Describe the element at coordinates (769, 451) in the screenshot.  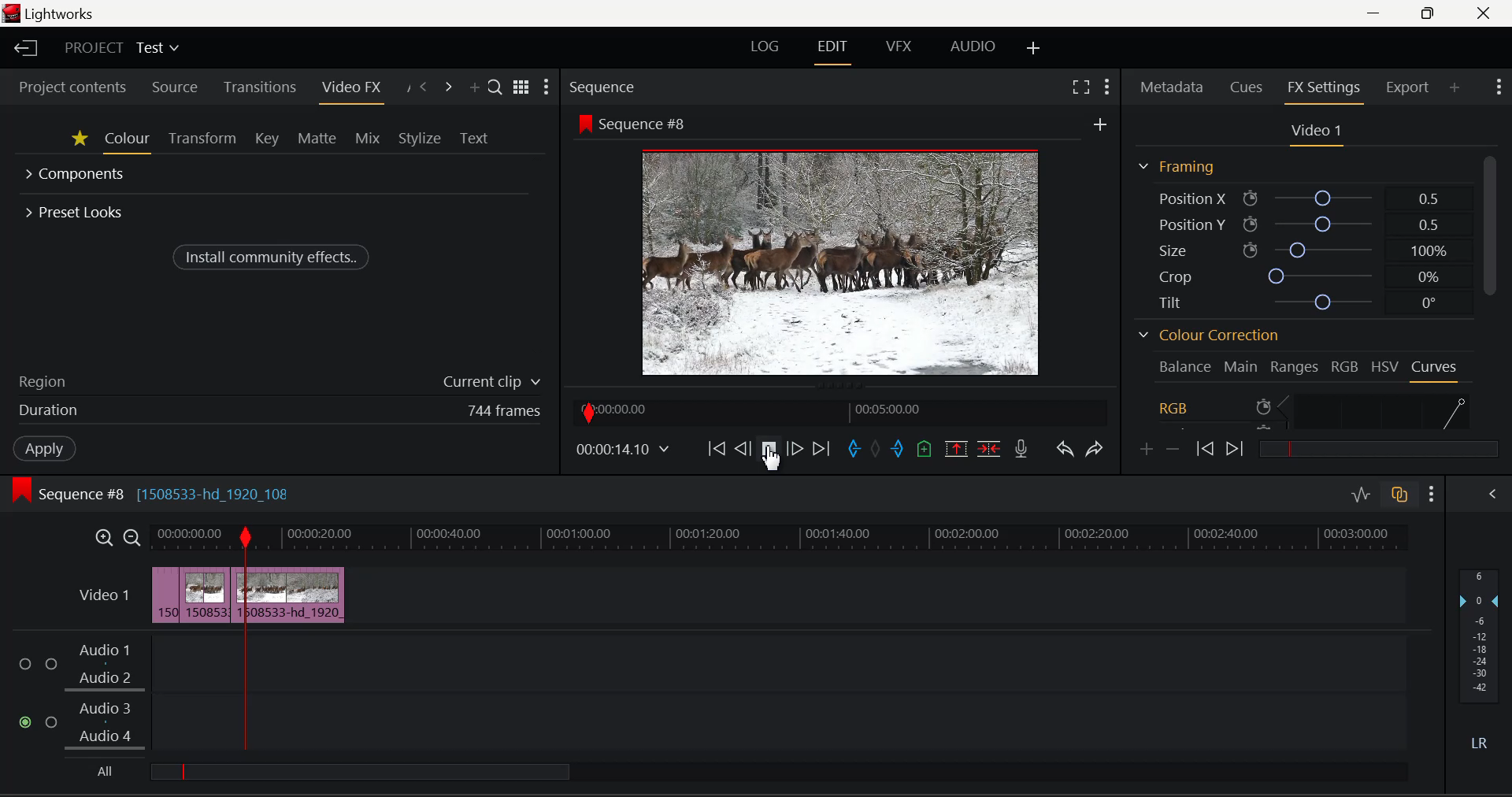
I see `Video Played` at that location.